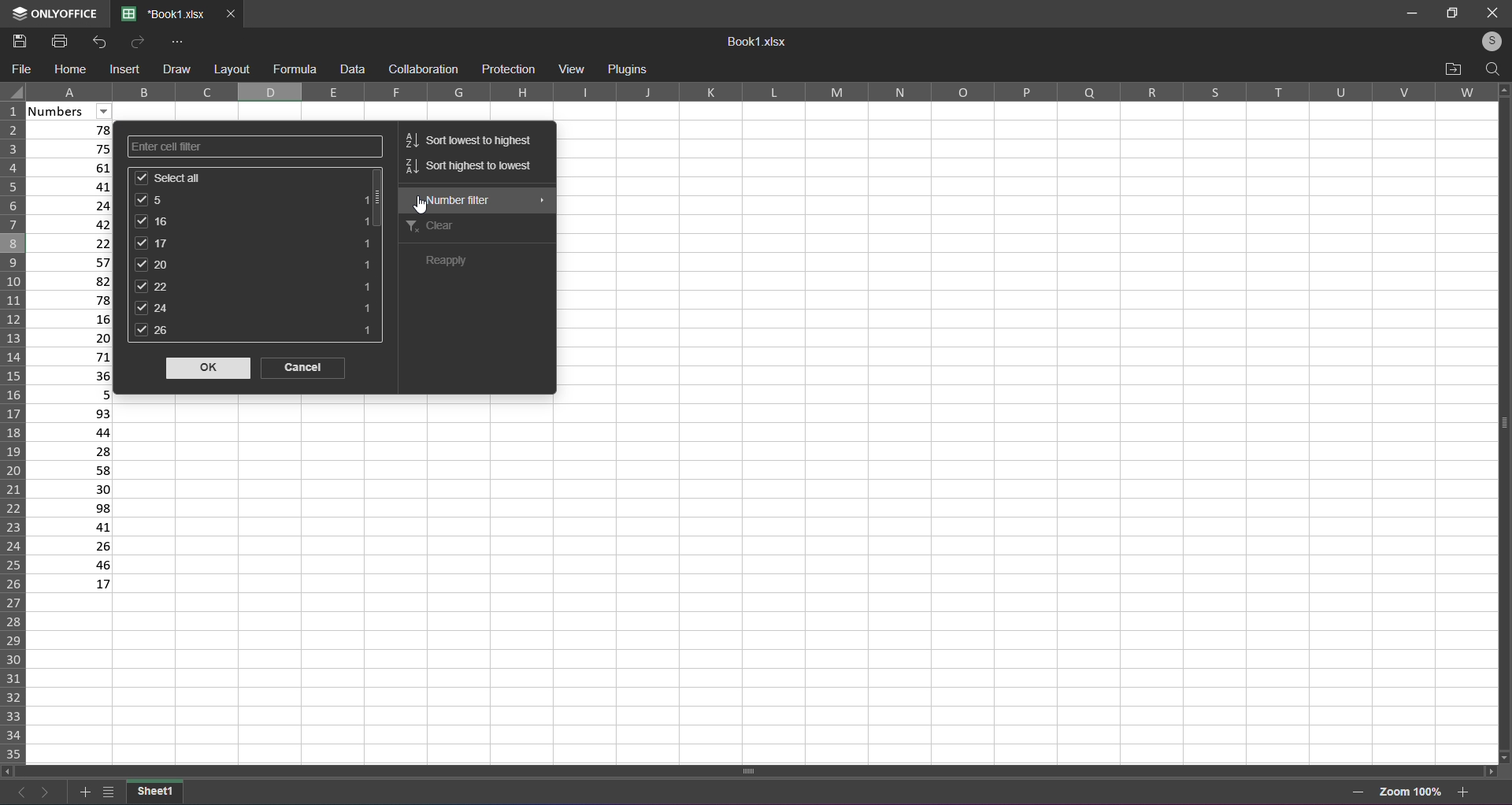 This screenshot has height=805, width=1512. Describe the element at coordinates (628, 70) in the screenshot. I see `plugins` at that location.